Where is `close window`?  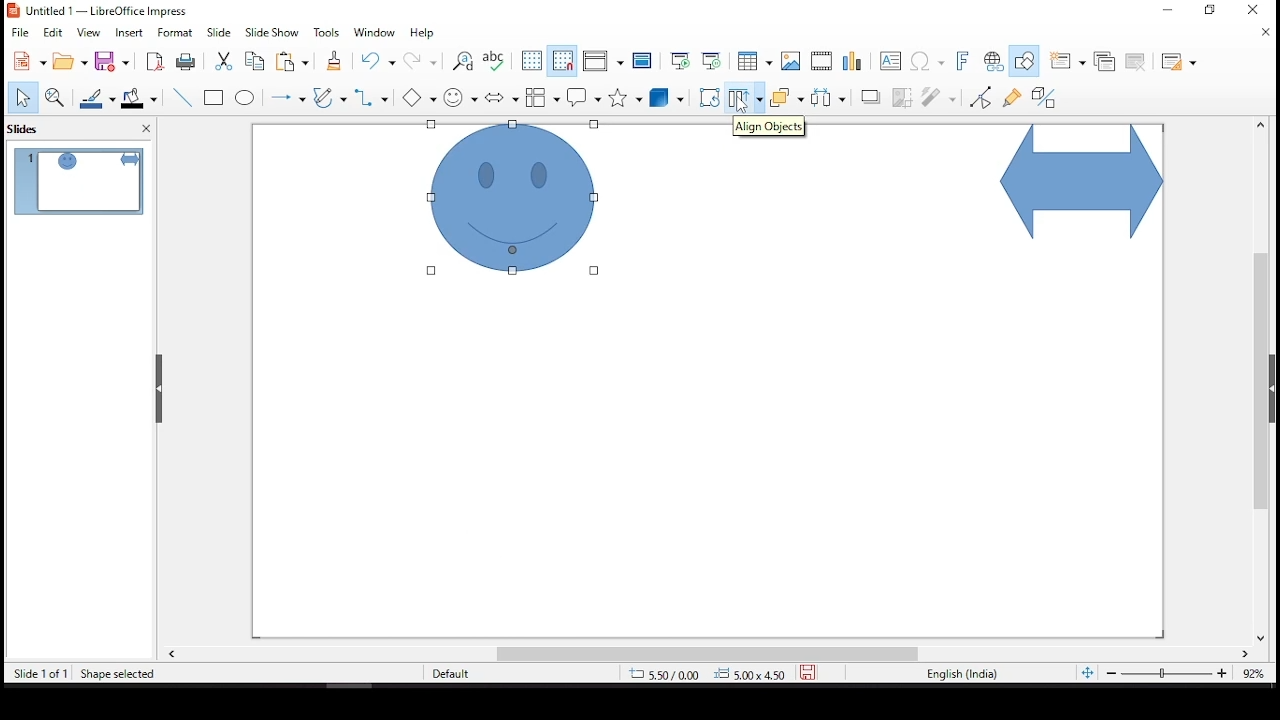
close window is located at coordinates (1252, 10).